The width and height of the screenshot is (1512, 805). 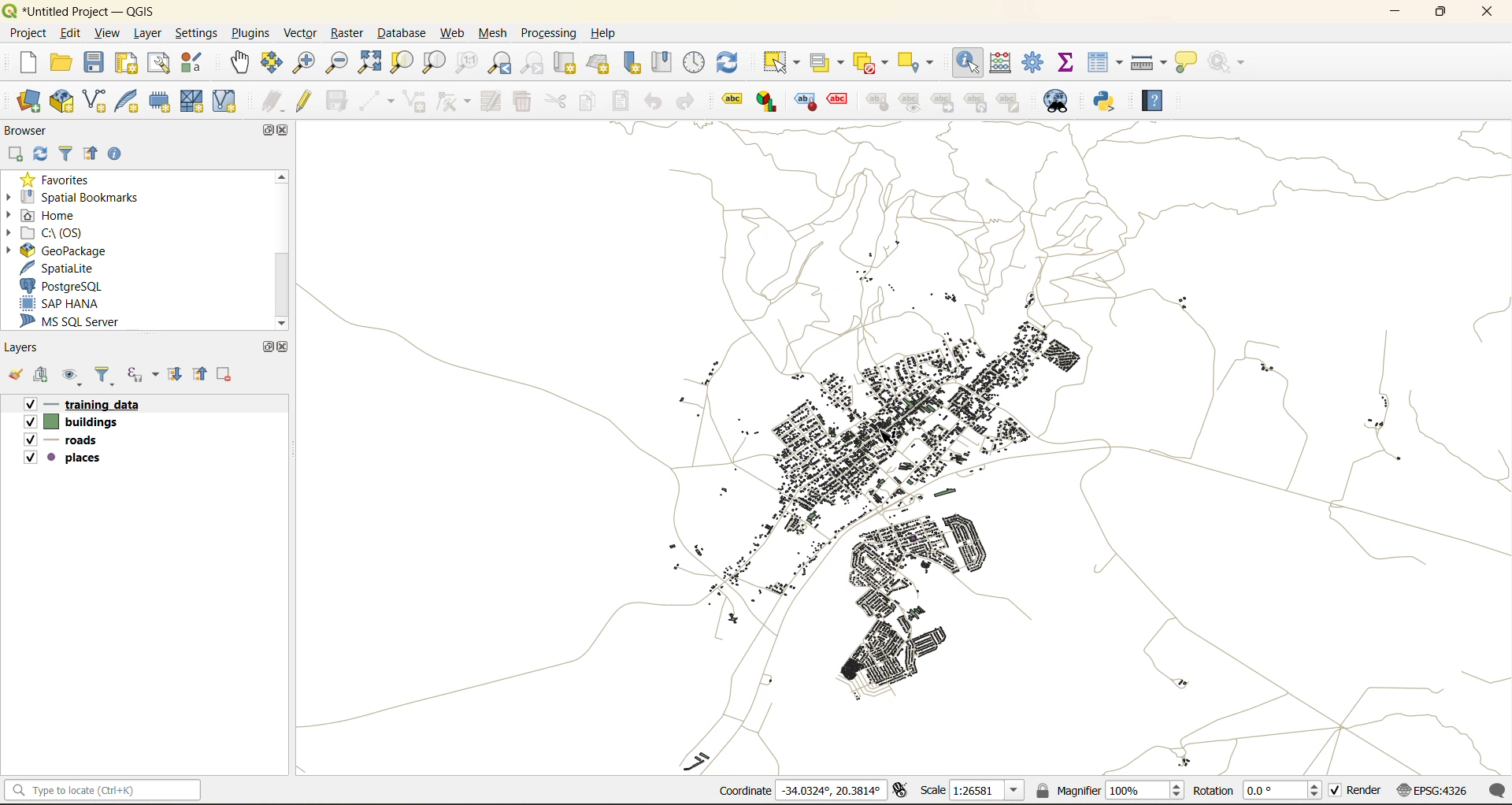 I want to click on zoom native, so click(x=467, y=65).